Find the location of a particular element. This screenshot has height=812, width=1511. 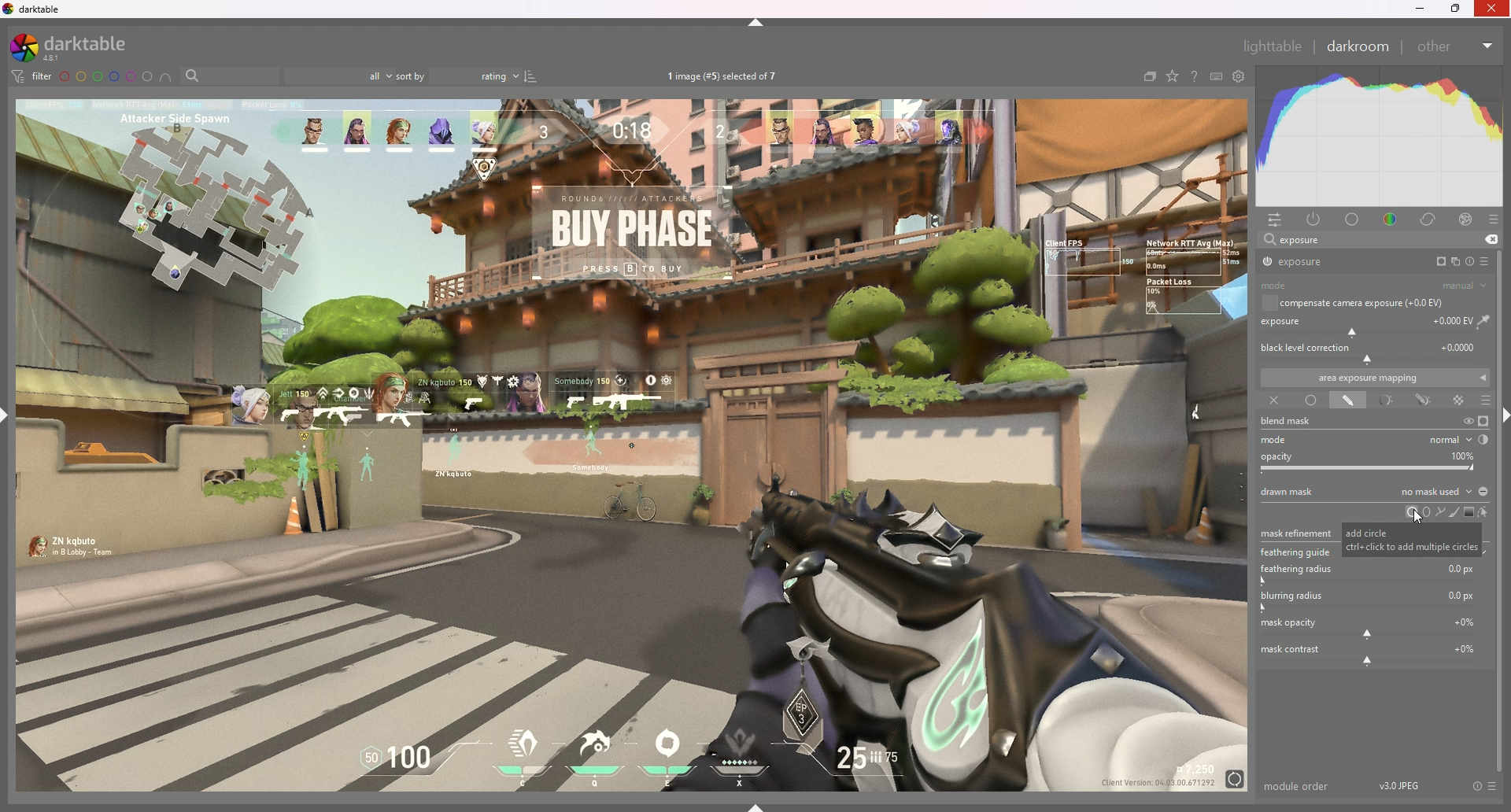

reset is located at coordinates (1469, 261).